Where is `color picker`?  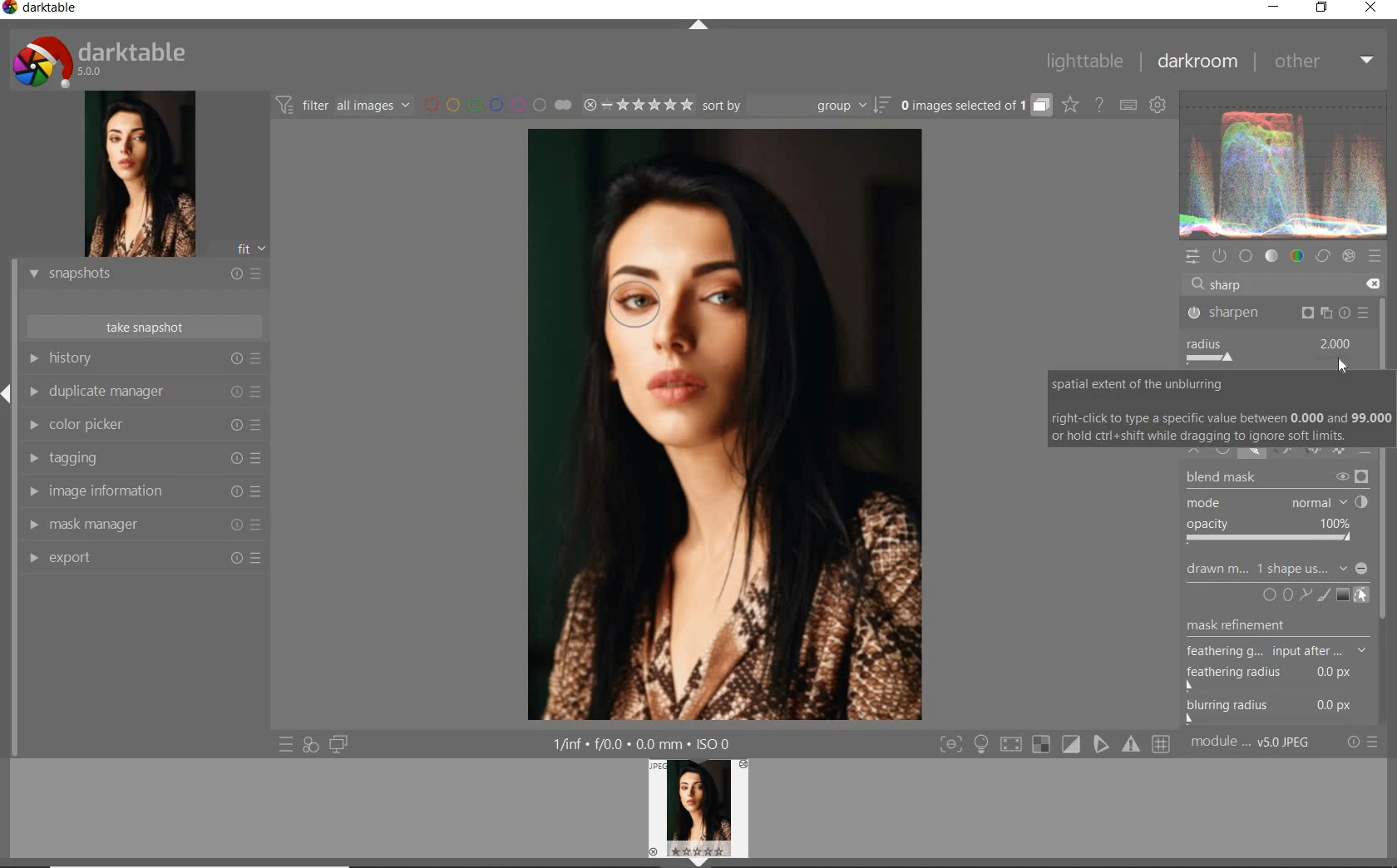 color picker is located at coordinates (144, 425).